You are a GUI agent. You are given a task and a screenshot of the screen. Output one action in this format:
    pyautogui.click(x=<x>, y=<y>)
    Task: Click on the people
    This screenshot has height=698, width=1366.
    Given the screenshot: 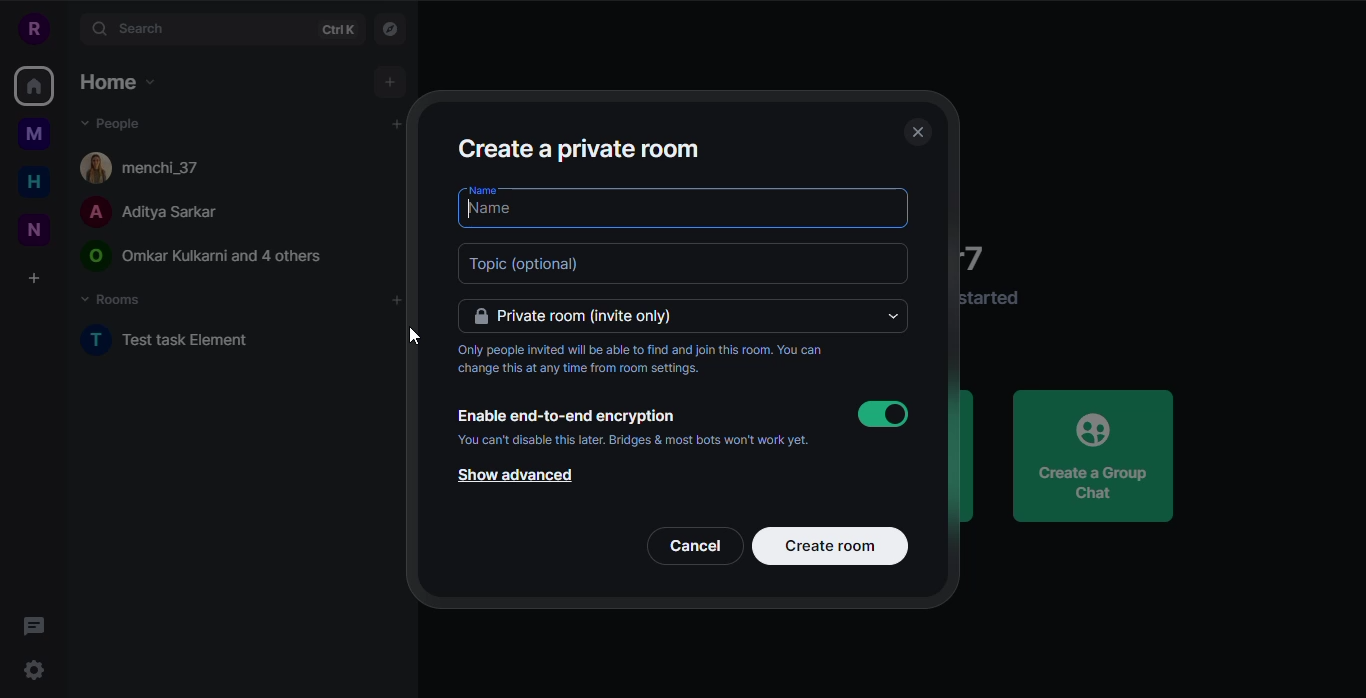 What is the action you would take?
    pyautogui.click(x=151, y=165)
    